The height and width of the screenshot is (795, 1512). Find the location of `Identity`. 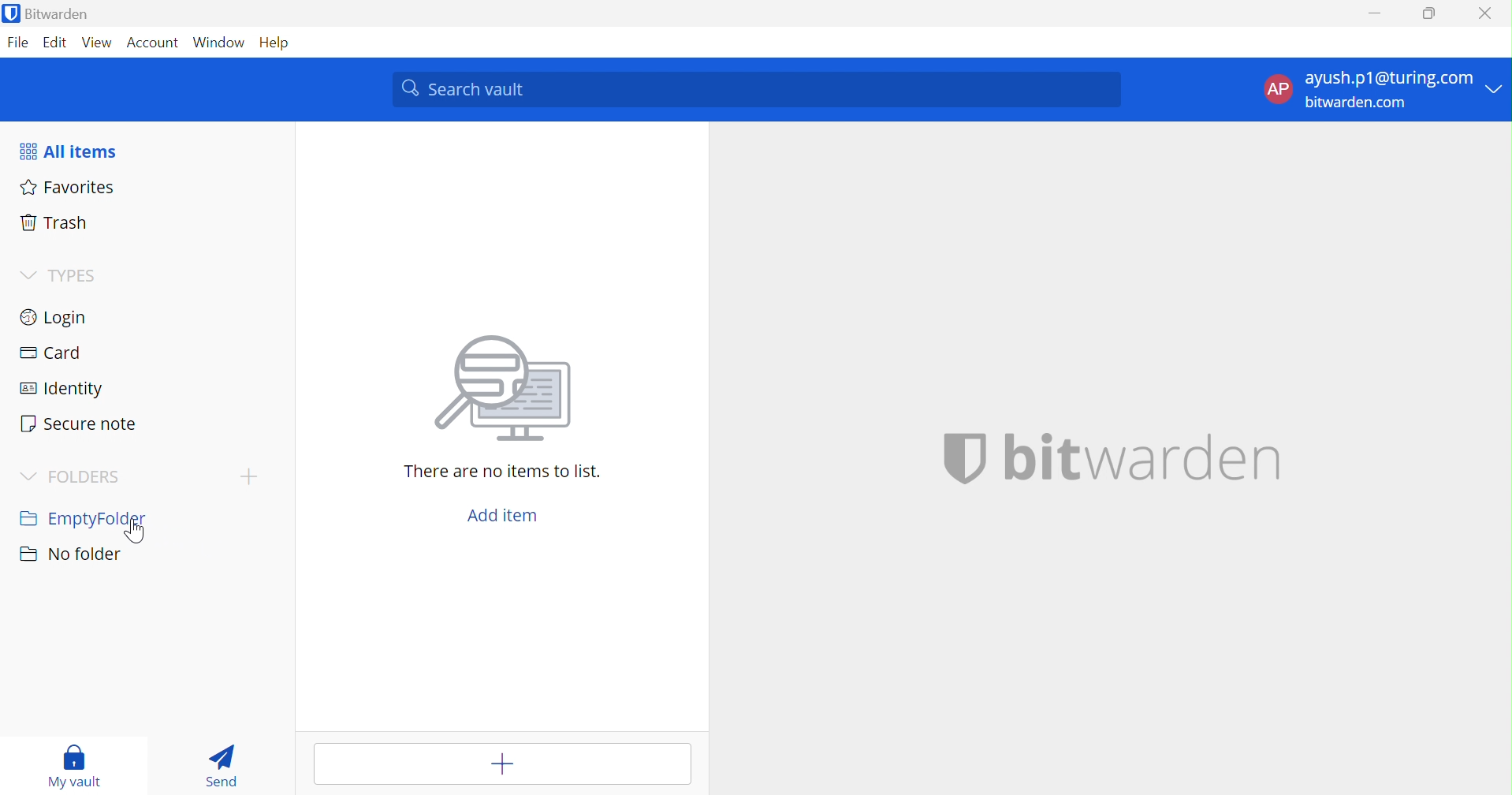

Identity is located at coordinates (63, 392).